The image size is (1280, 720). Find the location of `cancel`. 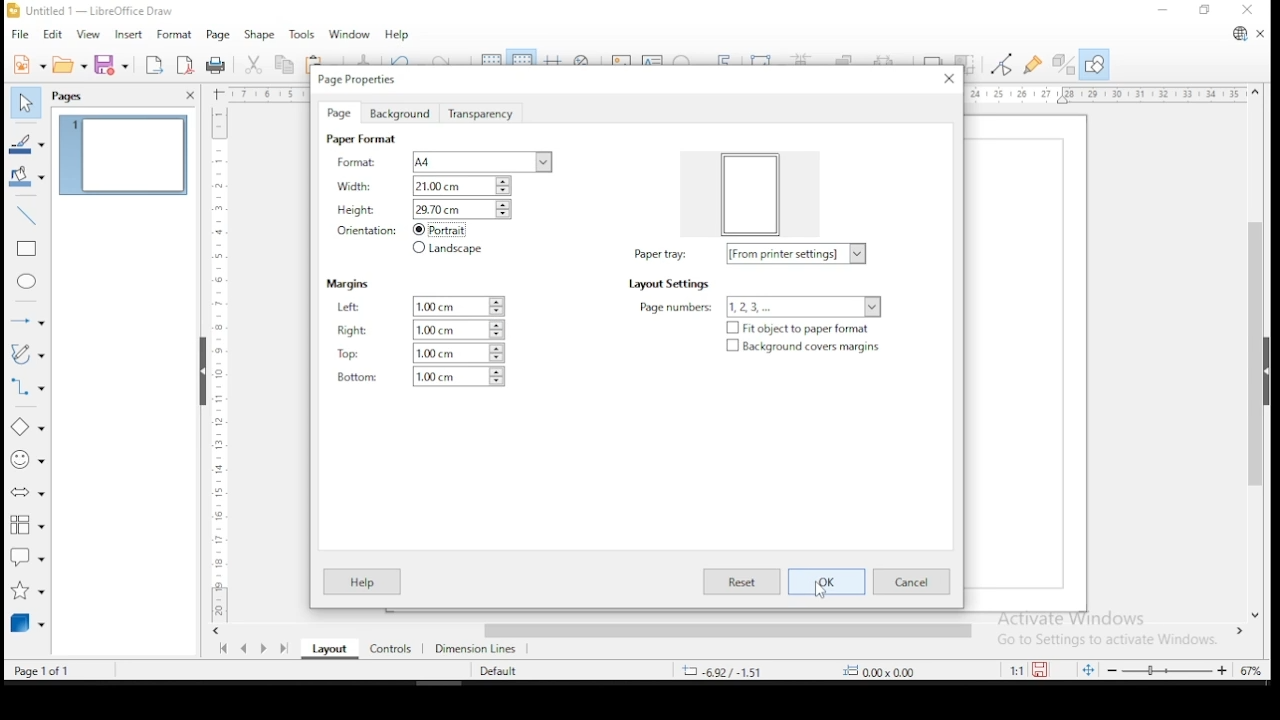

cancel is located at coordinates (912, 582).